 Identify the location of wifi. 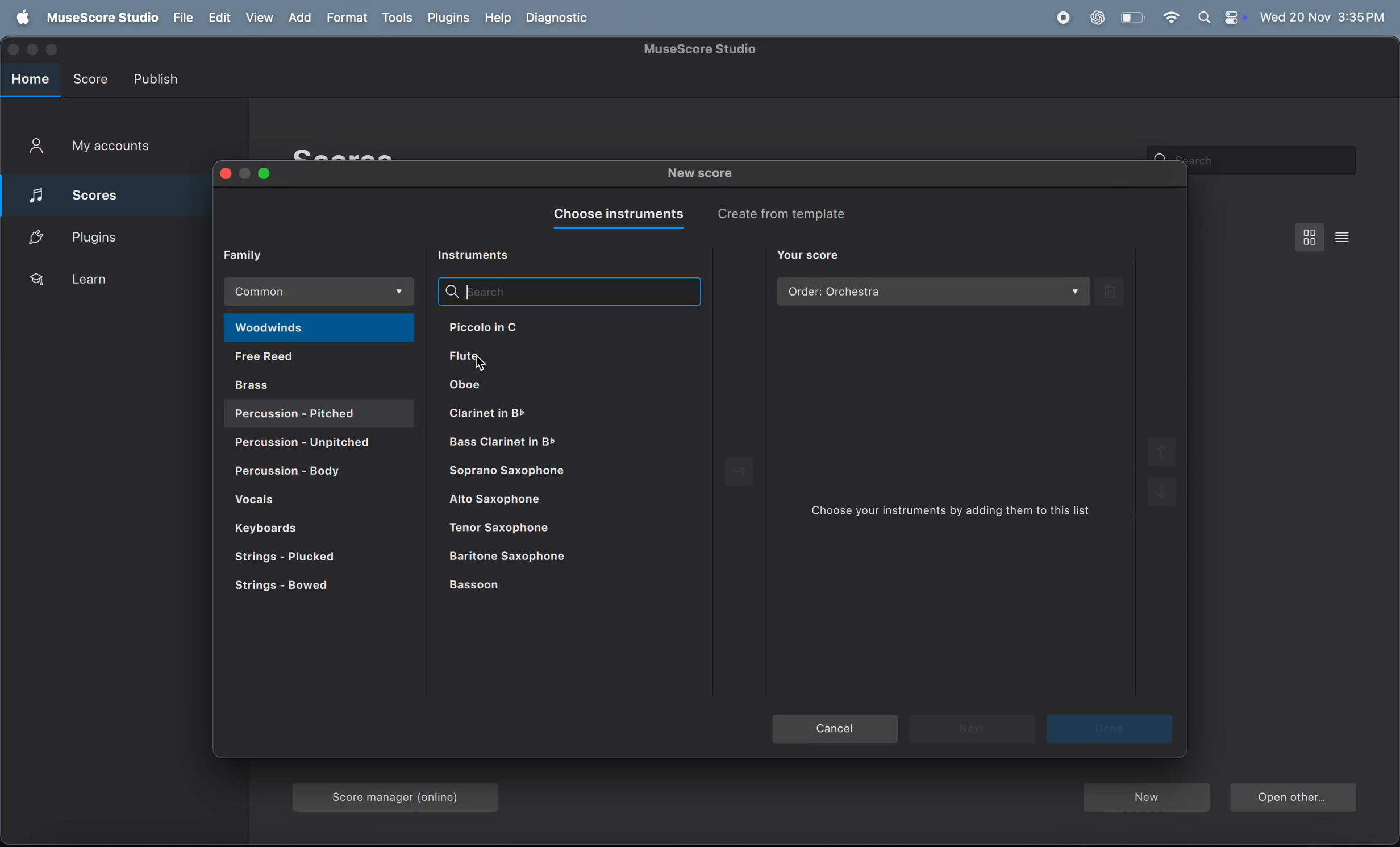
(1170, 18).